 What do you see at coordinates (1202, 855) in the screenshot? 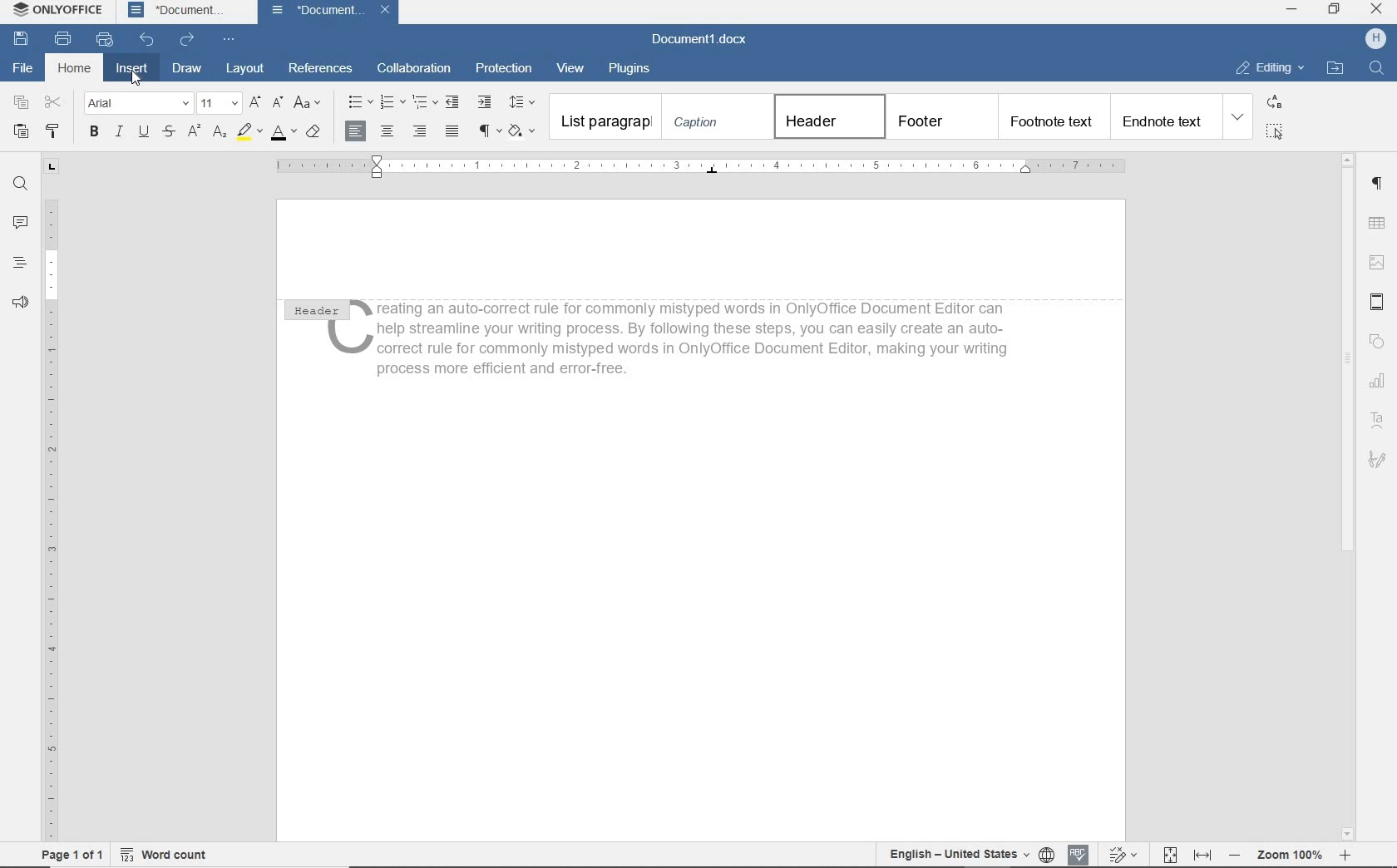
I see `FIT TO WIDTH` at bounding box center [1202, 855].